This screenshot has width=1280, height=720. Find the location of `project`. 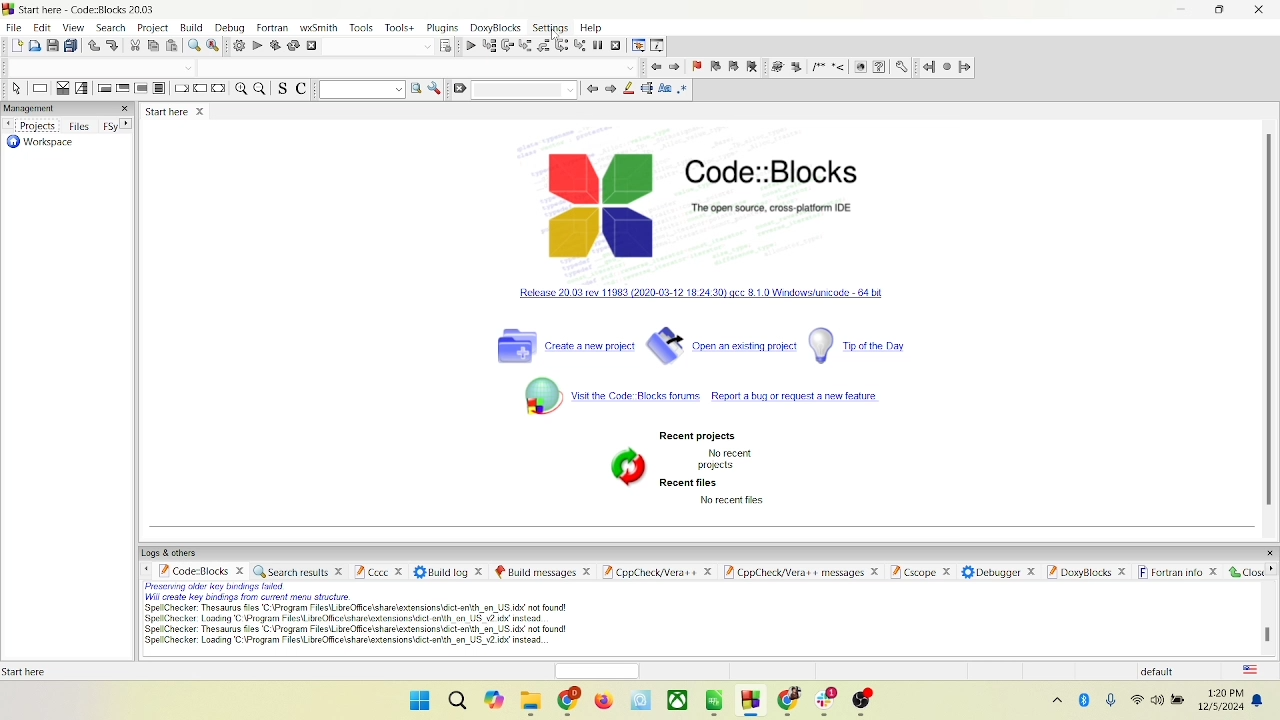

project is located at coordinates (151, 27).